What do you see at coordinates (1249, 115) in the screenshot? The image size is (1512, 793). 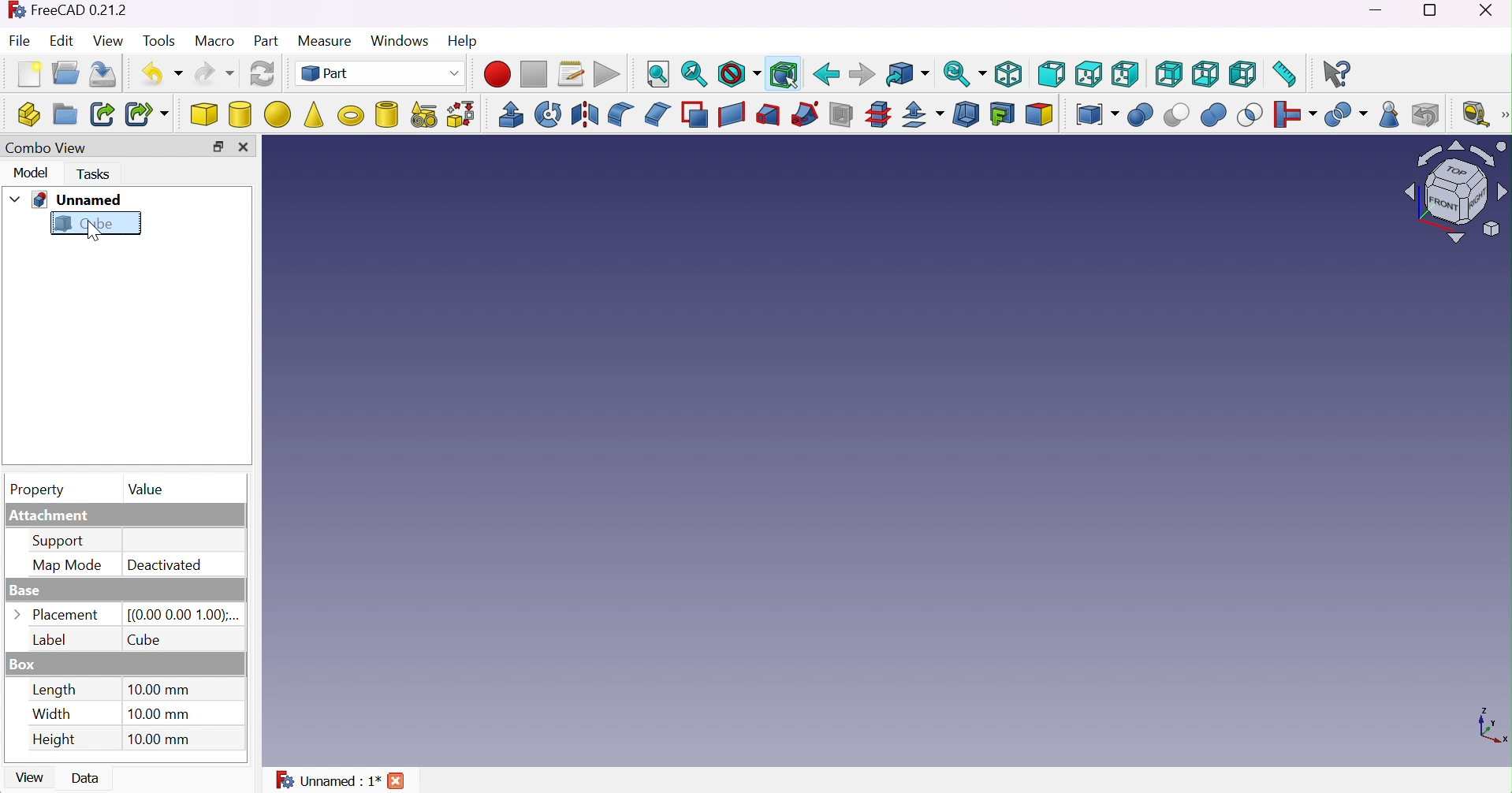 I see `Intersection` at bounding box center [1249, 115].